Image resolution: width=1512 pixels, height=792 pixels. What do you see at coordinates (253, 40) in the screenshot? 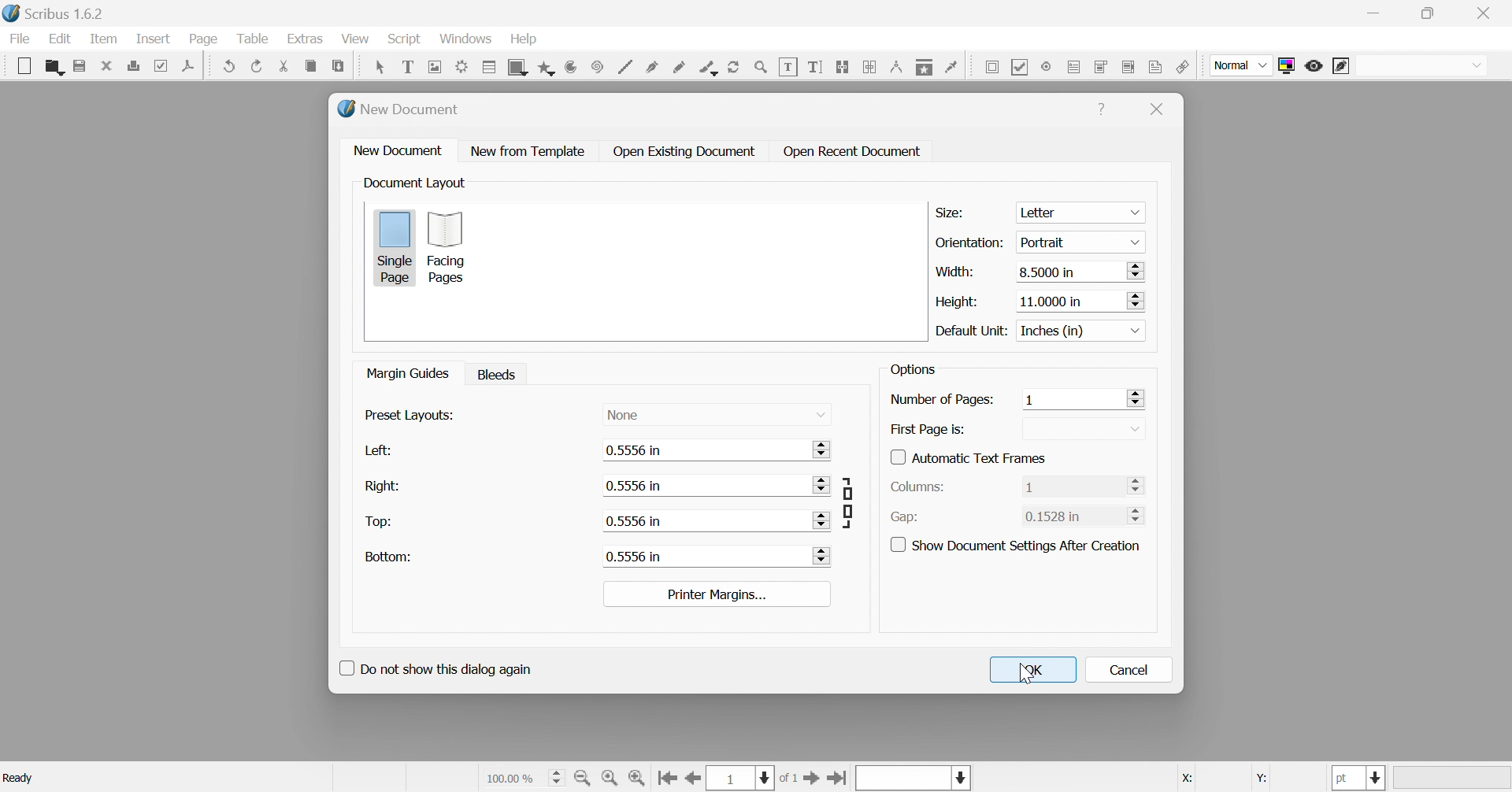
I see `table` at bounding box center [253, 40].